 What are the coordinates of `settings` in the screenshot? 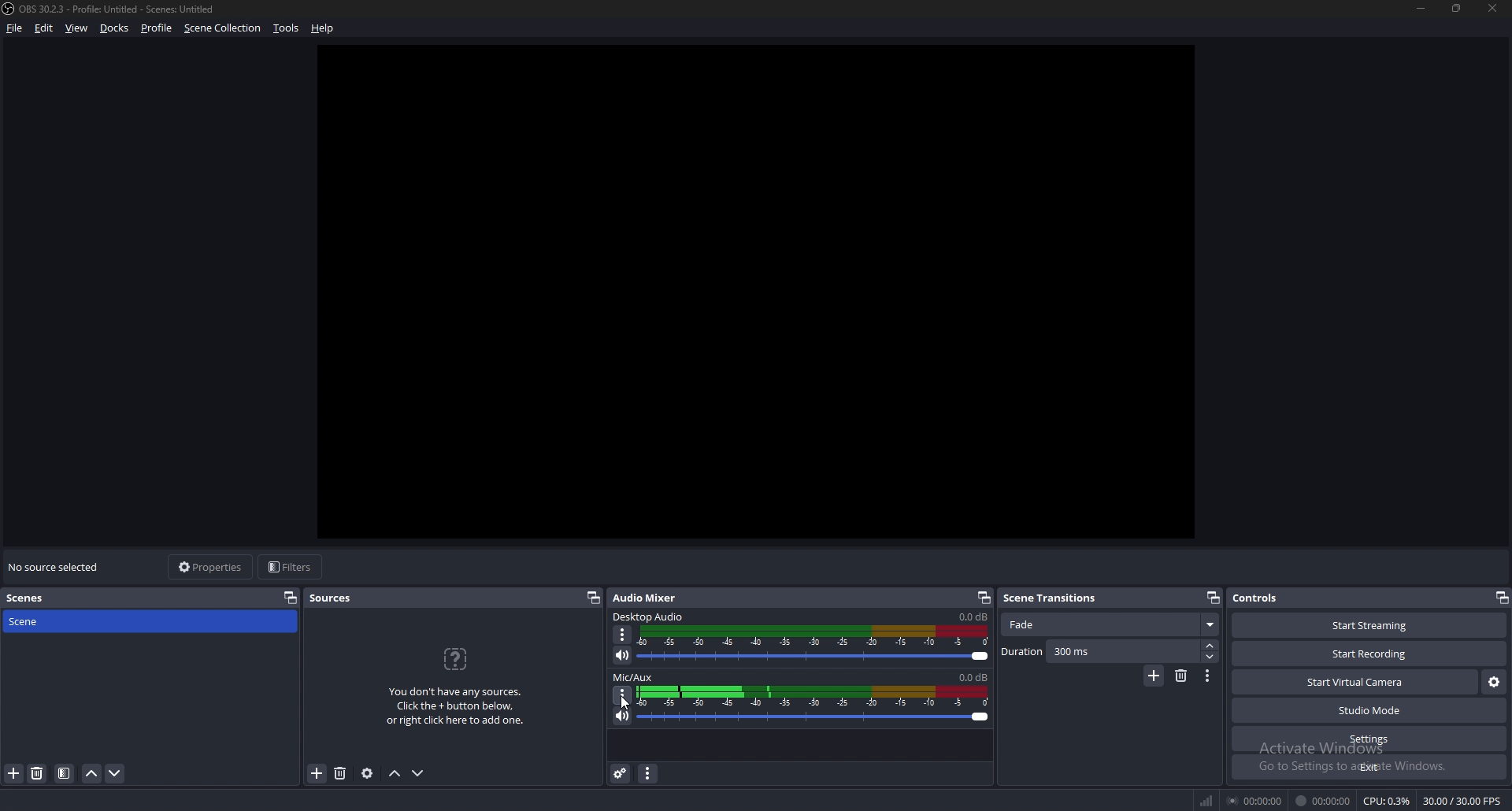 It's located at (1369, 739).